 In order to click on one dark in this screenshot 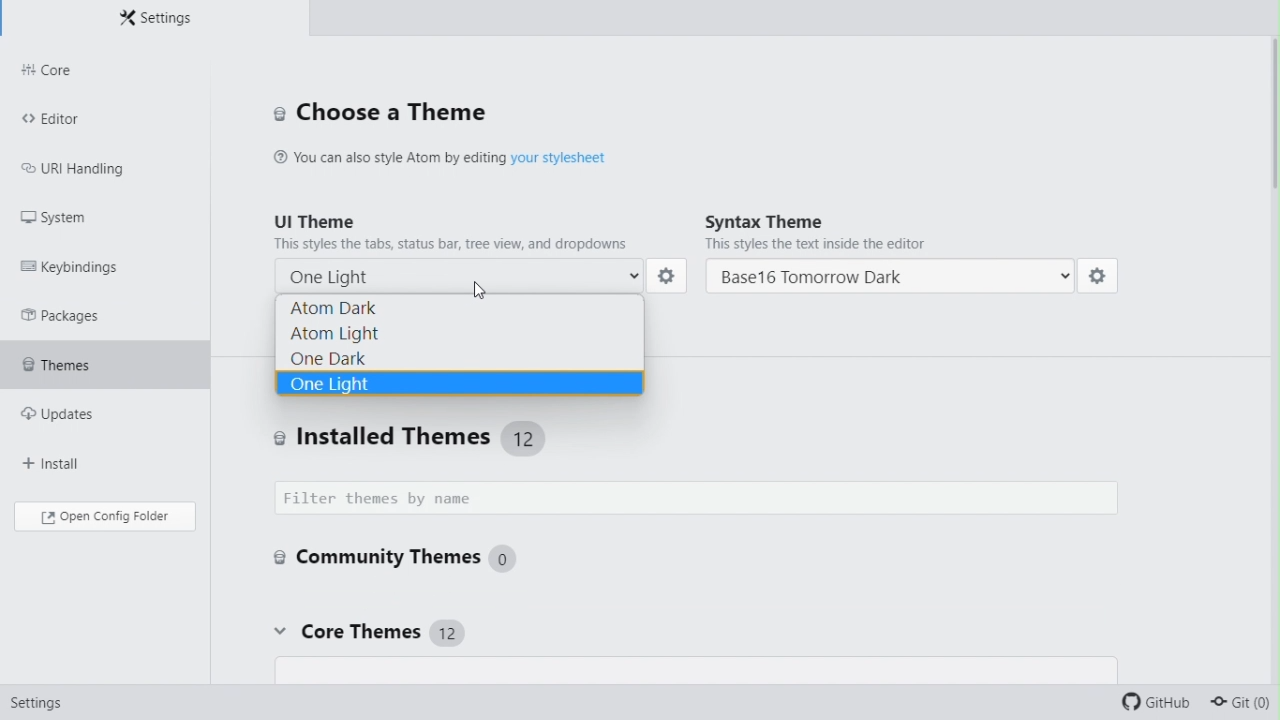, I will do `click(461, 355)`.